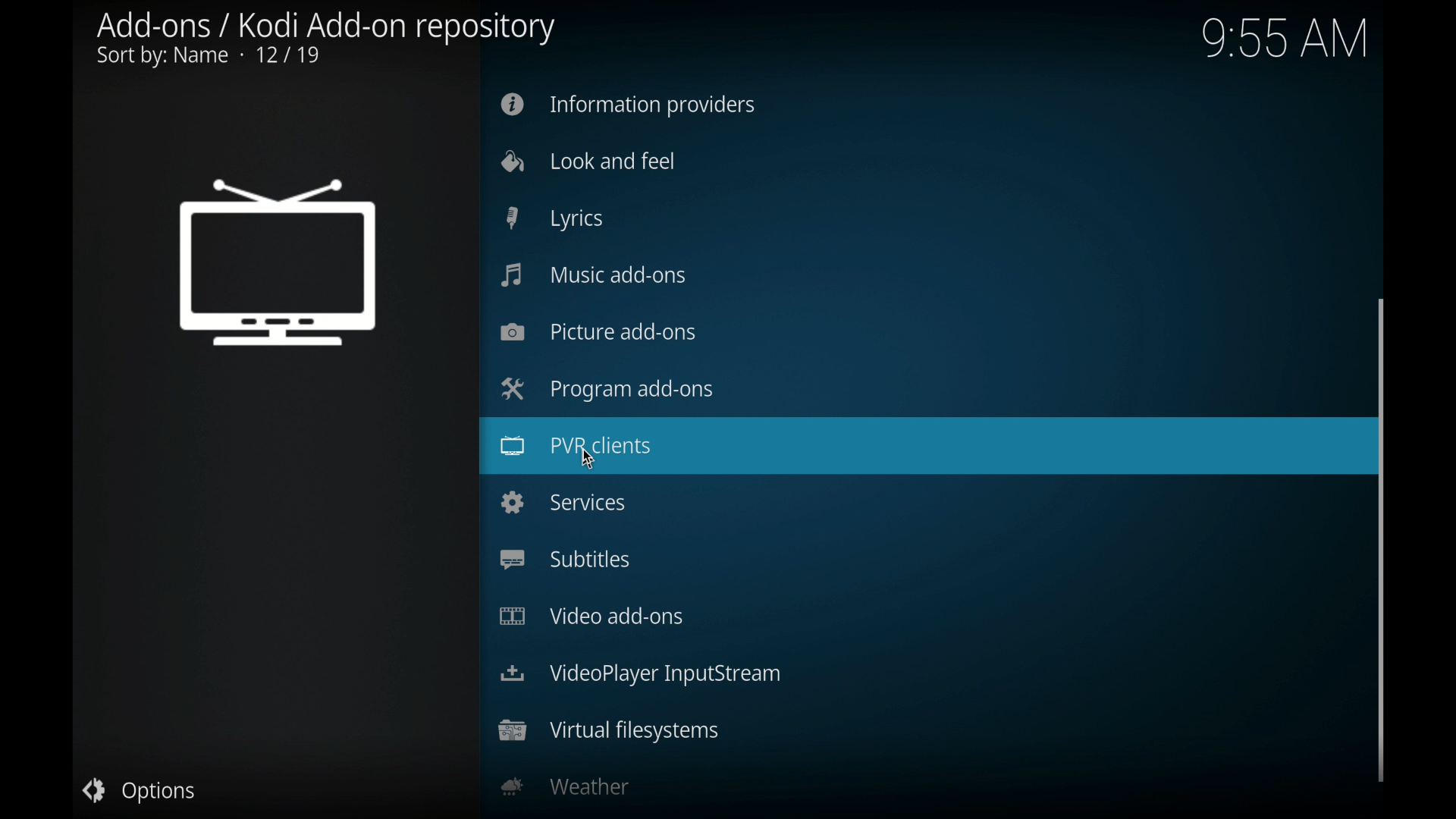 Image resolution: width=1456 pixels, height=819 pixels. I want to click on virtual filesystems, so click(609, 732).